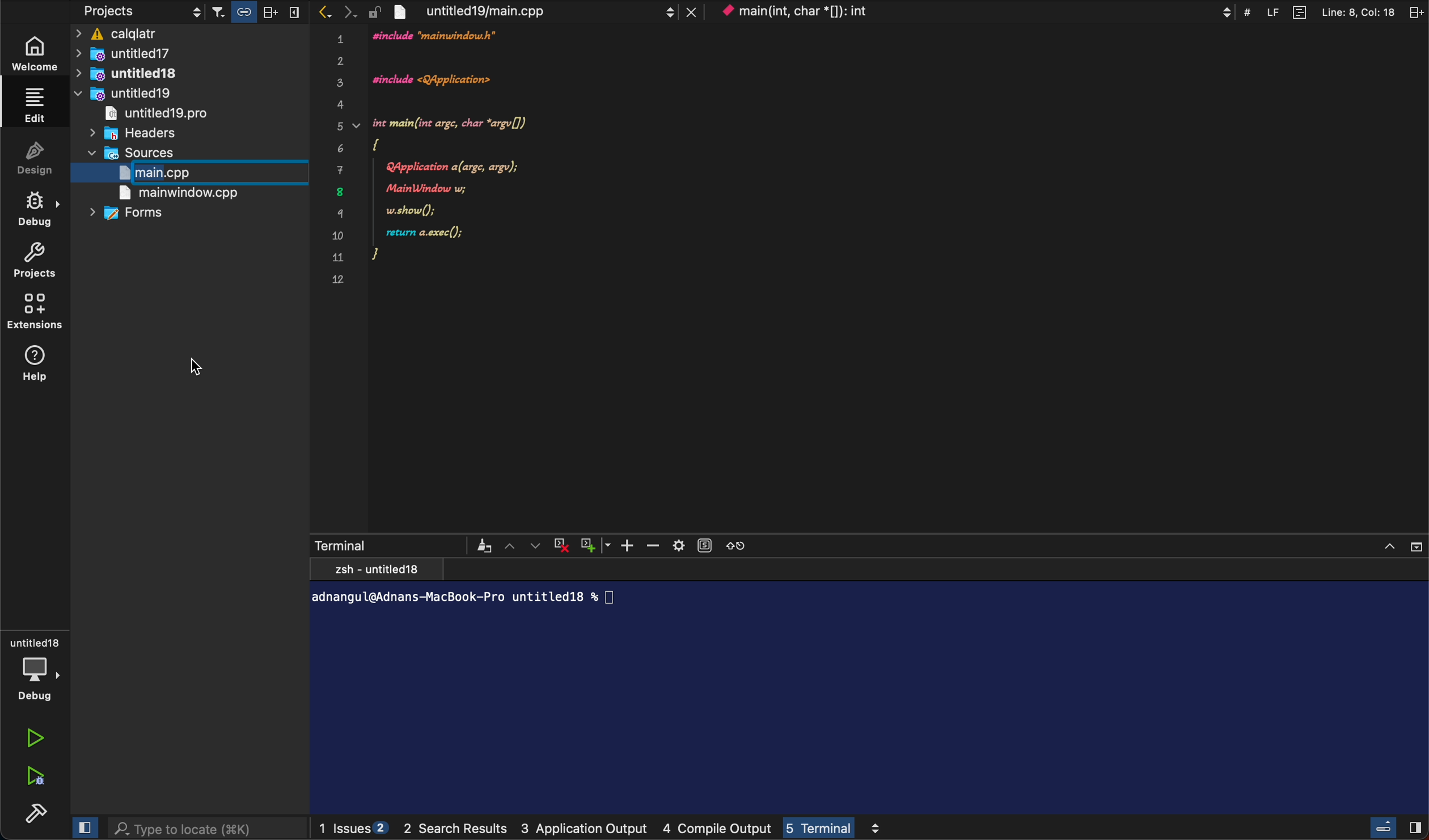  Describe the element at coordinates (630, 545) in the screenshot. I see `Plus` at that location.